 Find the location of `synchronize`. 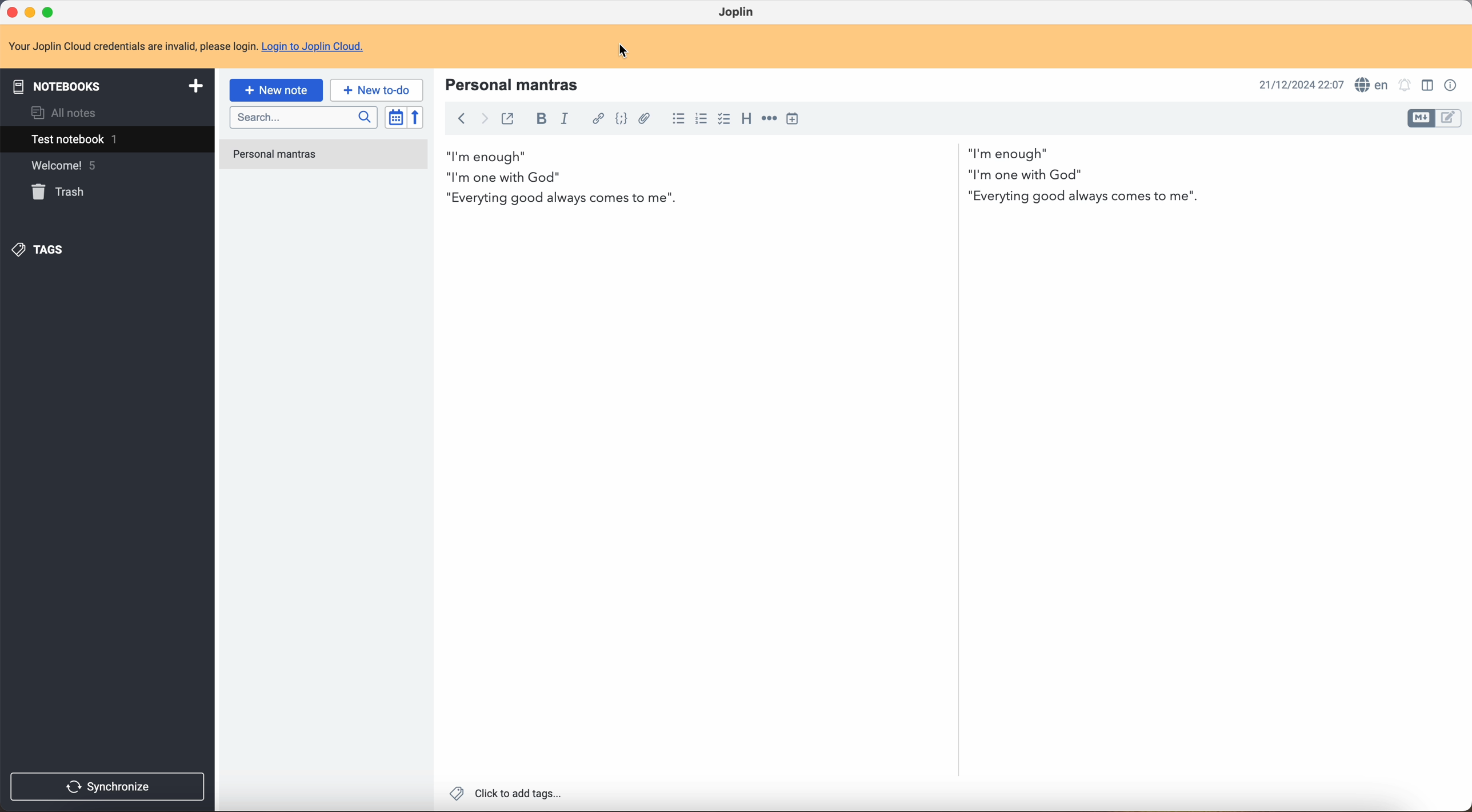

synchronize is located at coordinates (107, 786).